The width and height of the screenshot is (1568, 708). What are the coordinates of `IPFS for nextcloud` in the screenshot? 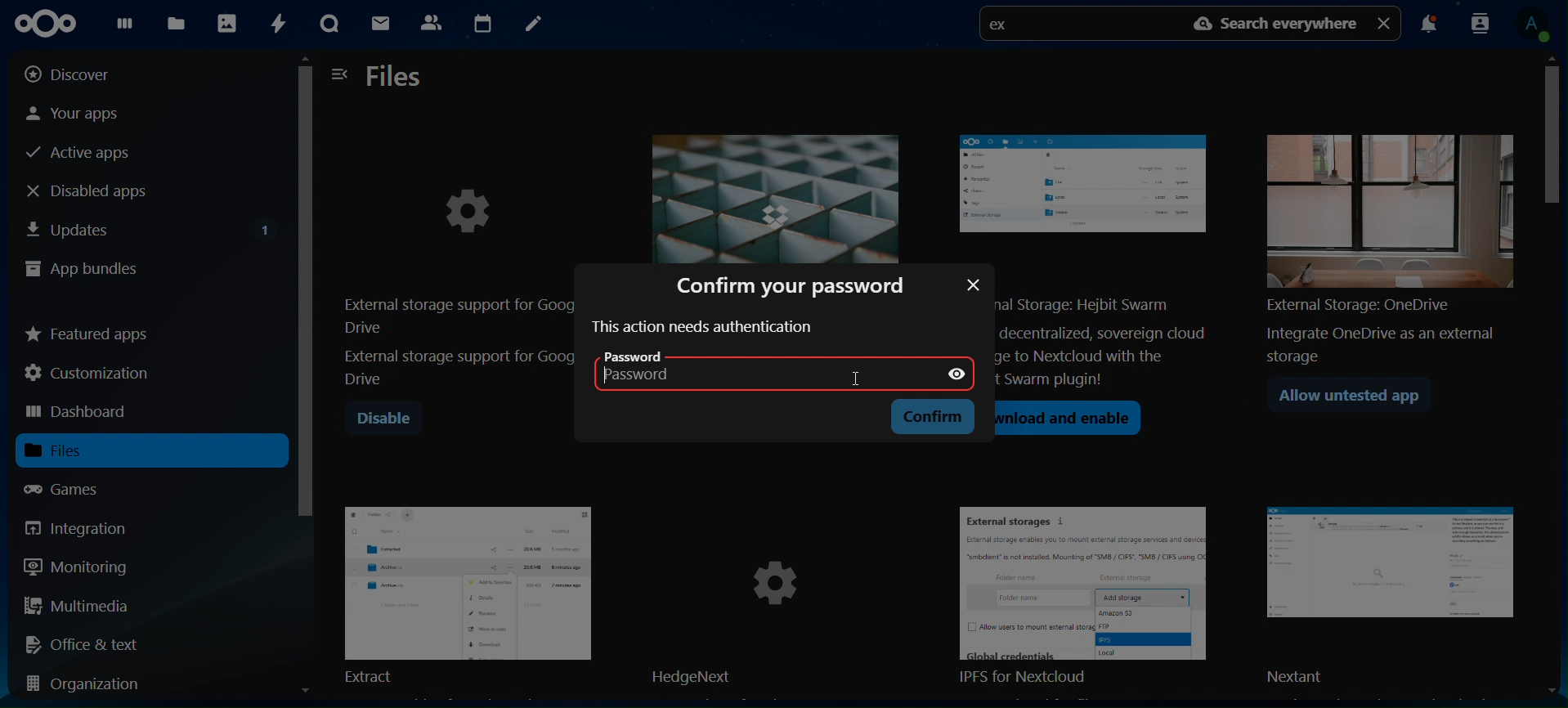 It's located at (1093, 598).